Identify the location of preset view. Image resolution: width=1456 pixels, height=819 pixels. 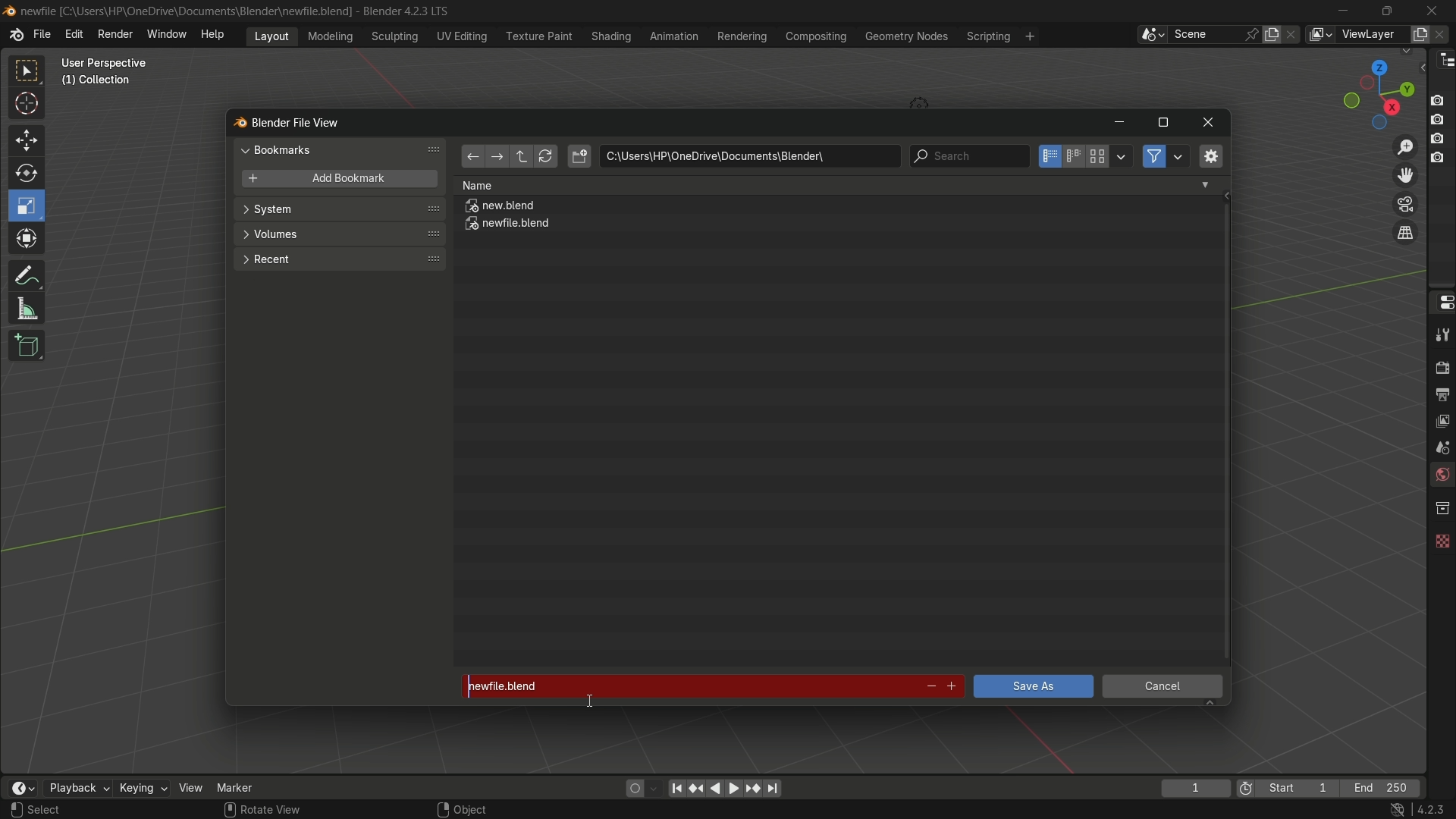
(1374, 91).